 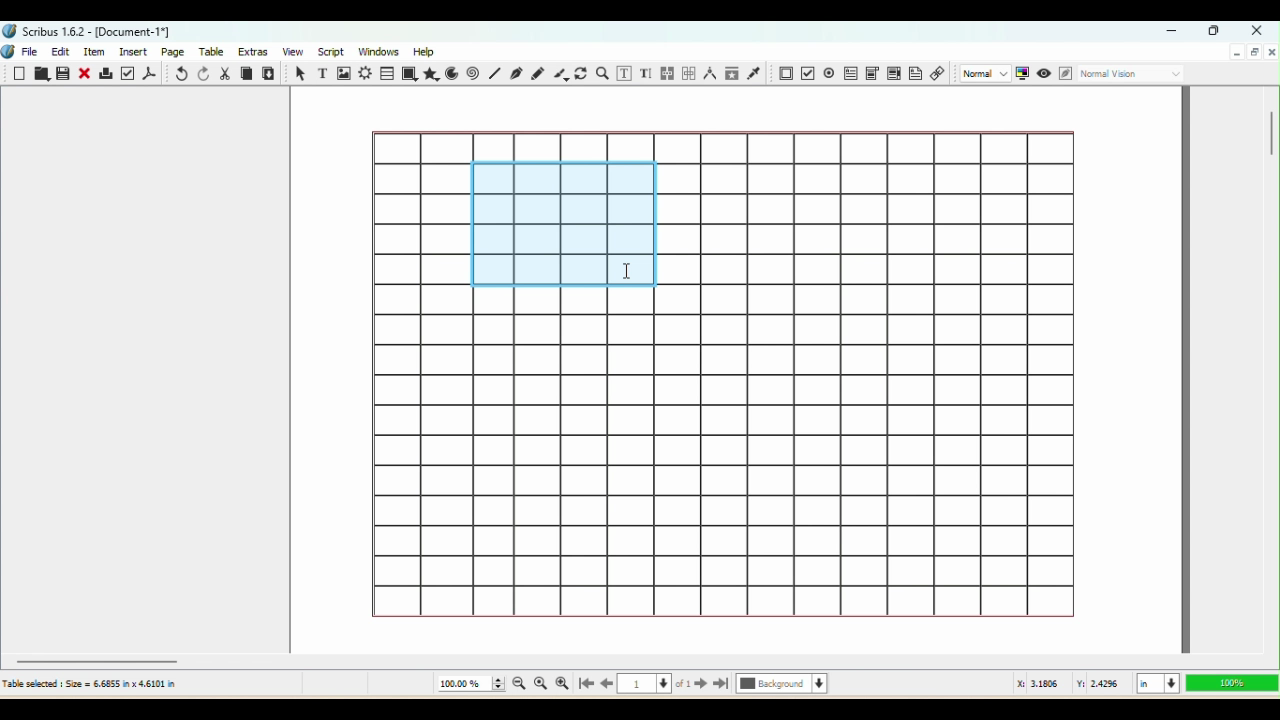 What do you see at coordinates (65, 75) in the screenshot?
I see `Save` at bounding box center [65, 75].